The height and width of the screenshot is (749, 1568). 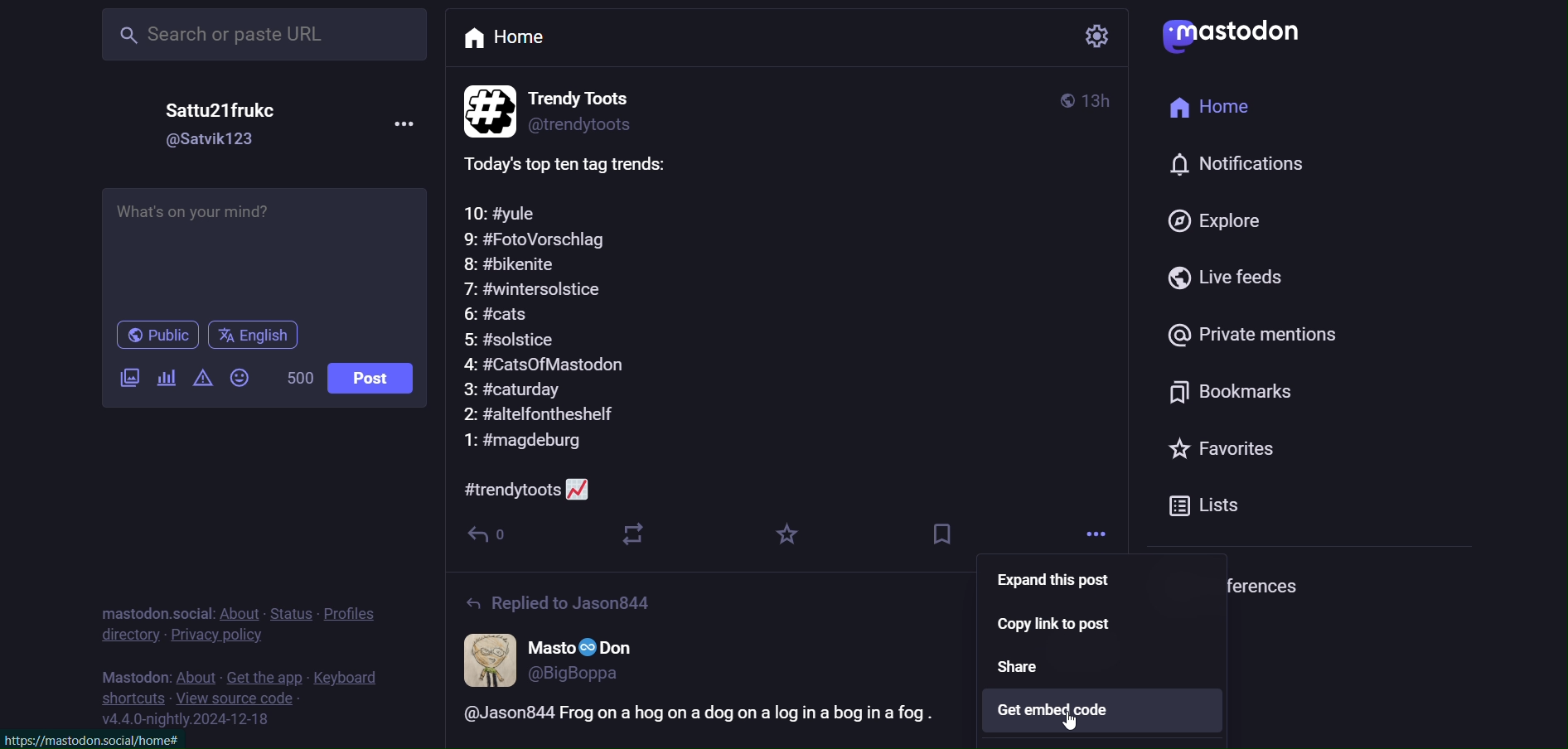 What do you see at coordinates (351, 676) in the screenshot?
I see `keyboard` at bounding box center [351, 676].